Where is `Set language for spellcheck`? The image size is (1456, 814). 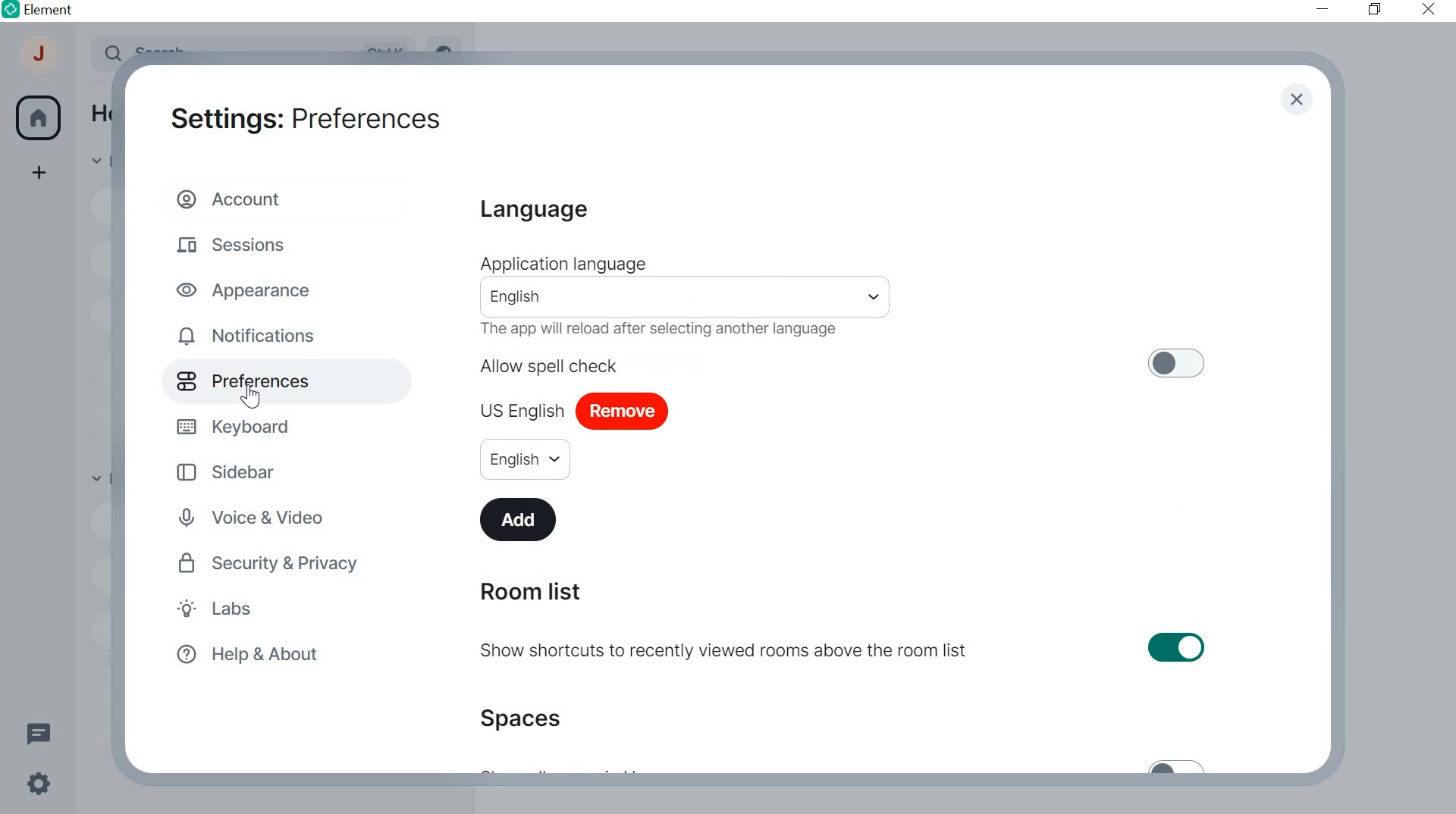 Set language for spellcheck is located at coordinates (525, 459).